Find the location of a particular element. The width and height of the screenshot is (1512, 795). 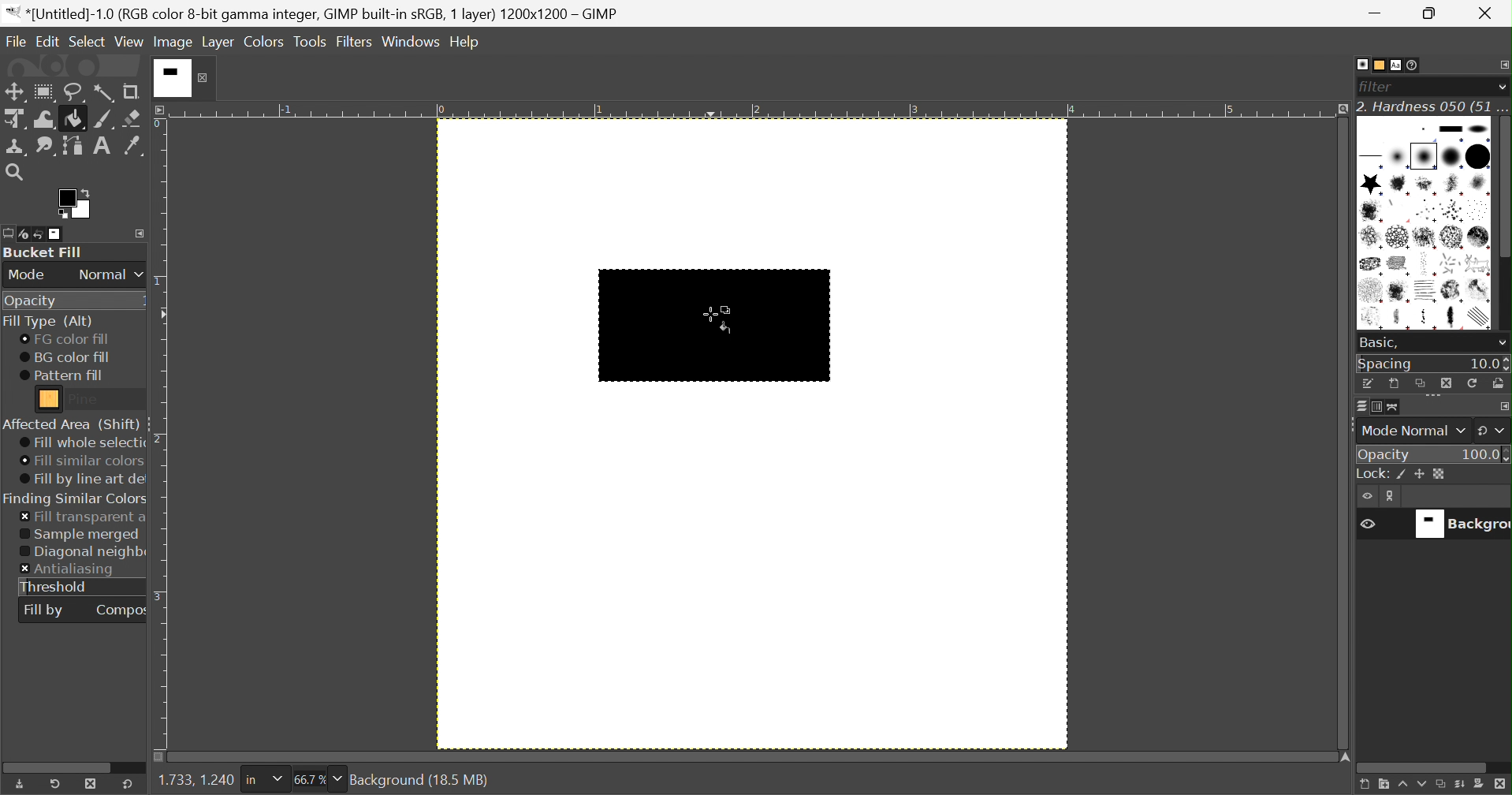

Clone Tool is located at coordinates (17, 147).